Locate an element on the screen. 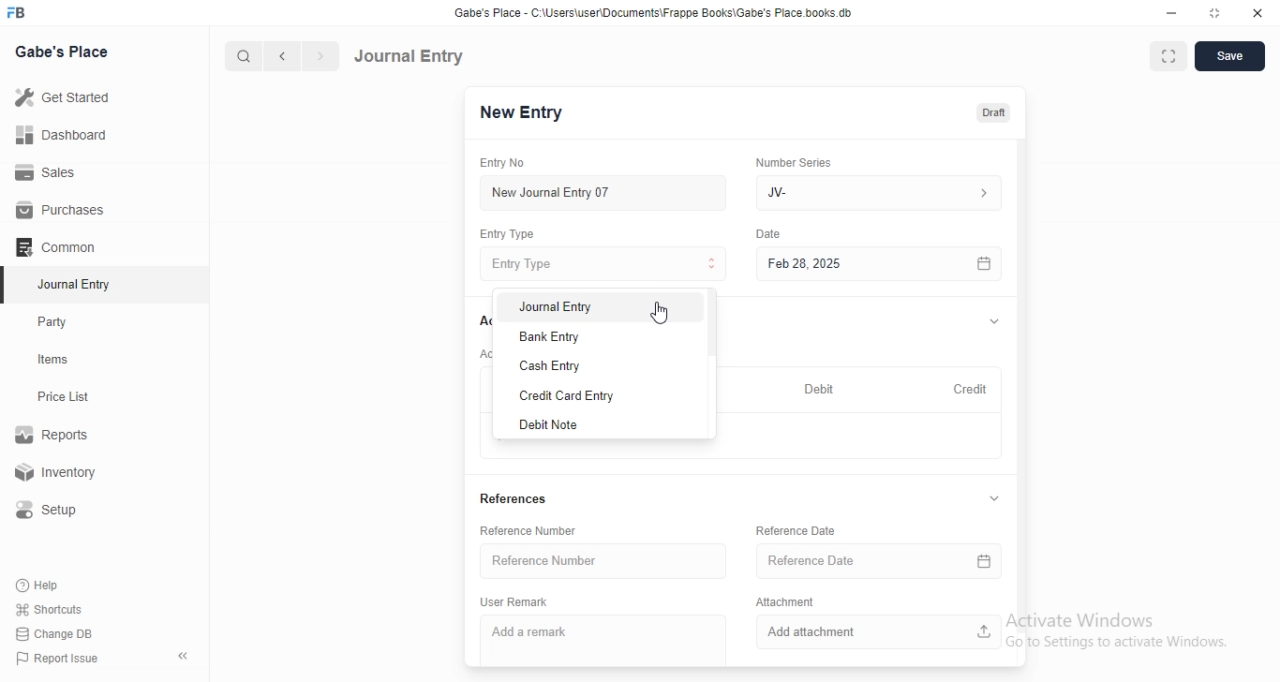 The image size is (1280, 682). backward is located at coordinates (281, 56).